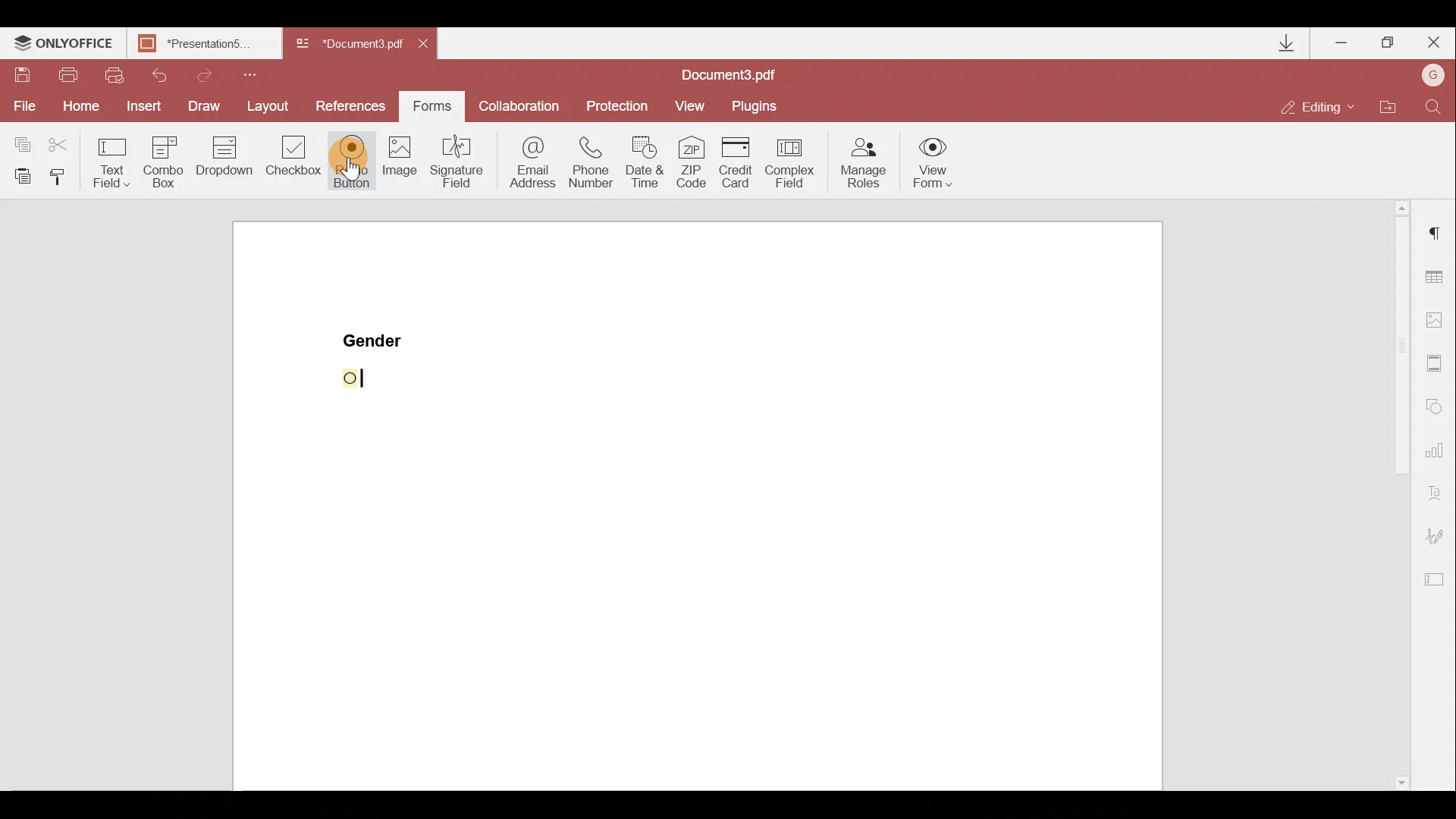  Describe the element at coordinates (1442, 536) in the screenshot. I see `Signature settings` at that location.